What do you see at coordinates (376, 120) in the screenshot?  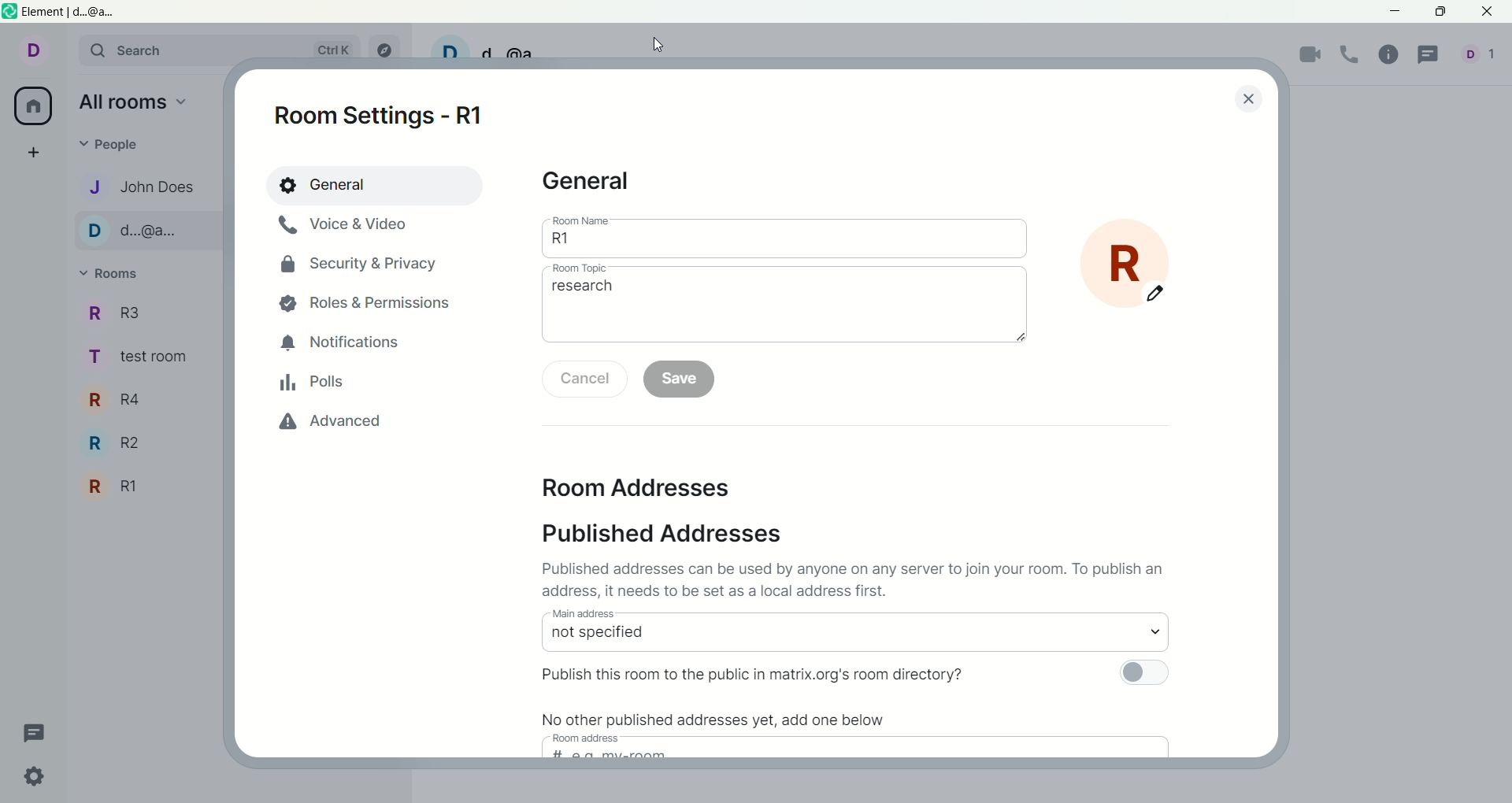 I see `room settings-r1` at bounding box center [376, 120].